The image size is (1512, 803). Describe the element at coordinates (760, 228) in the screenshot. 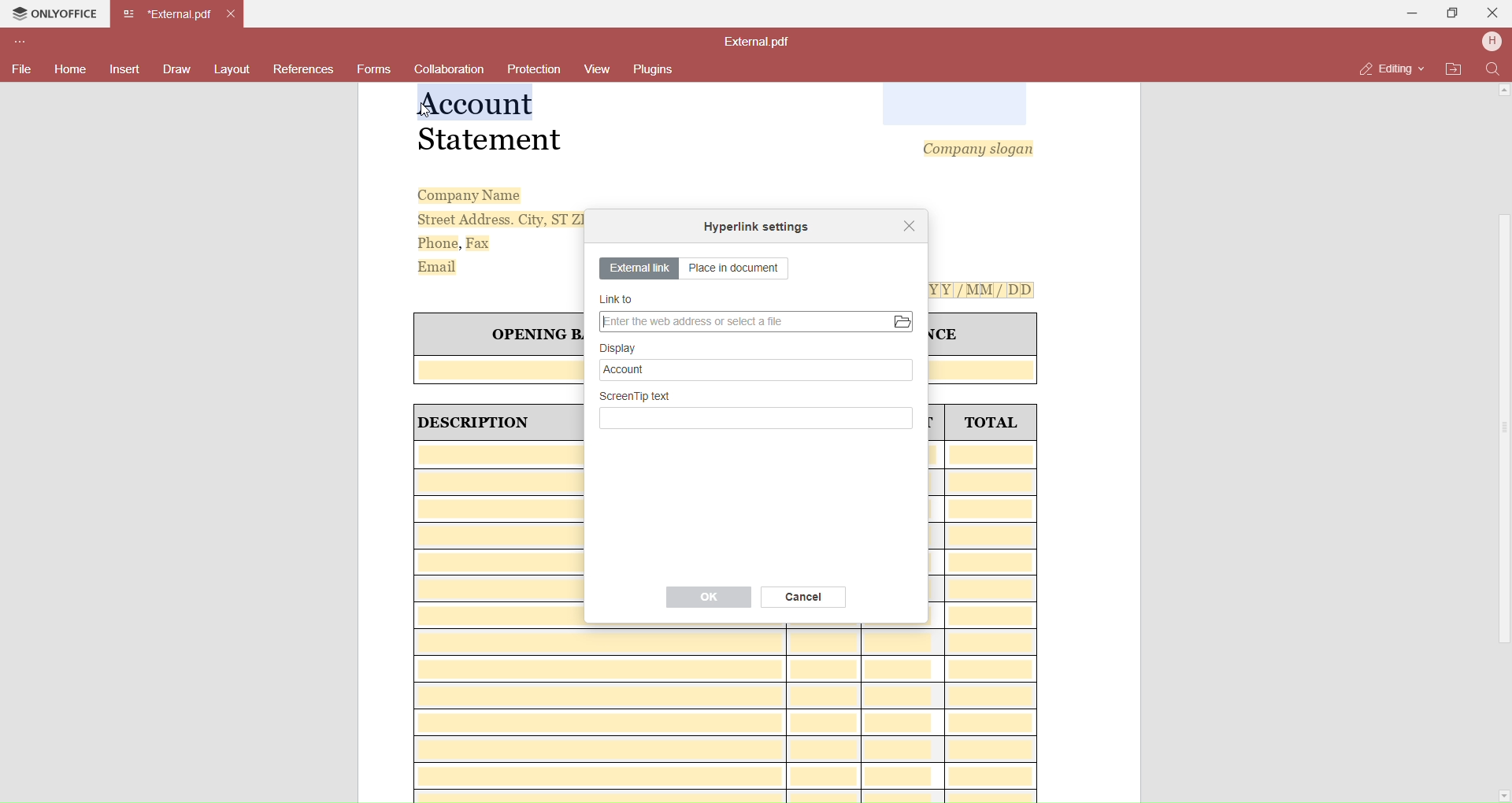

I see `Hyperlink setting` at that location.